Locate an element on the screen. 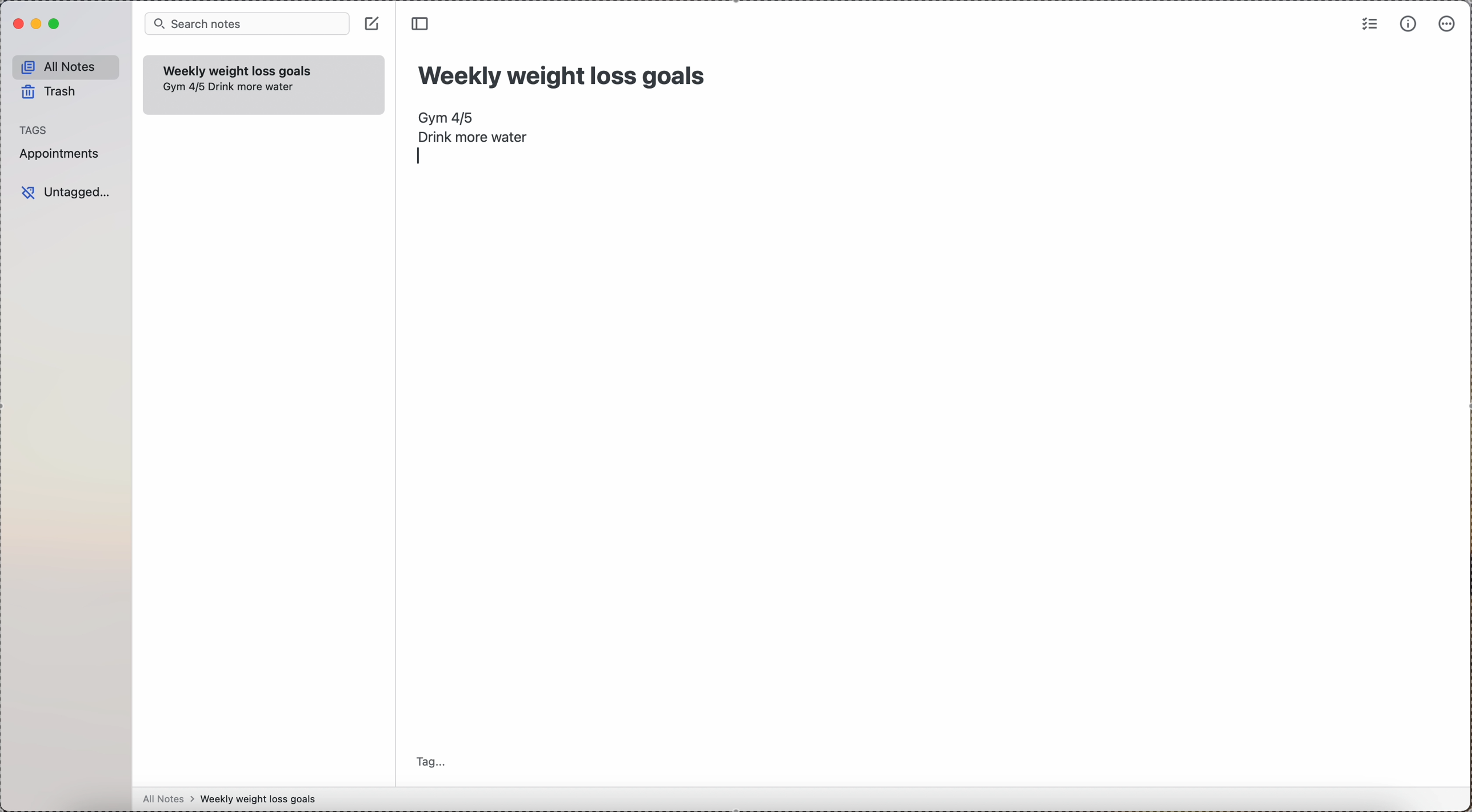 This screenshot has width=1472, height=812. tag is located at coordinates (435, 760).